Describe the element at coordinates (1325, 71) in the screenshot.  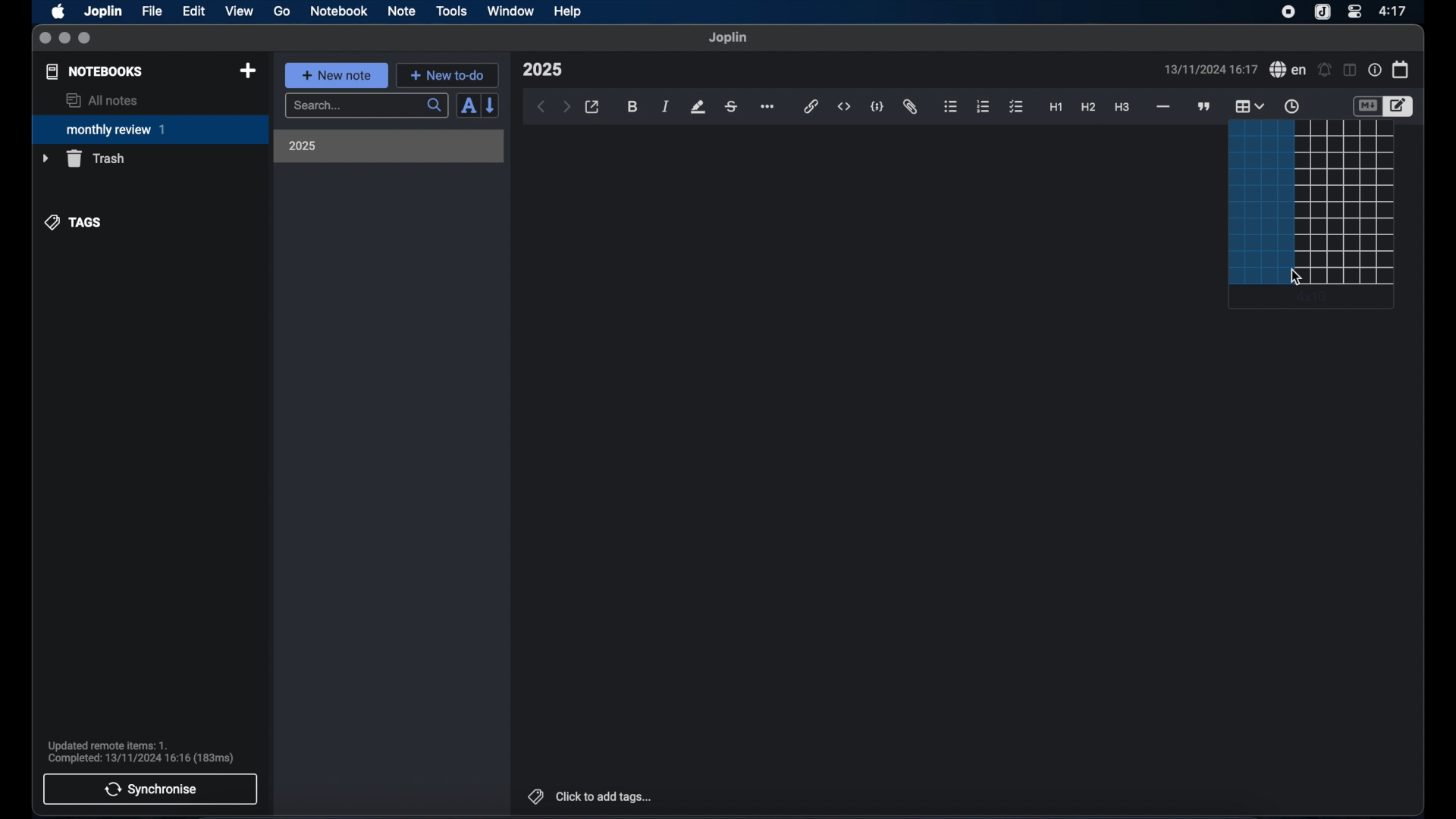
I see `set alarm` at that location.